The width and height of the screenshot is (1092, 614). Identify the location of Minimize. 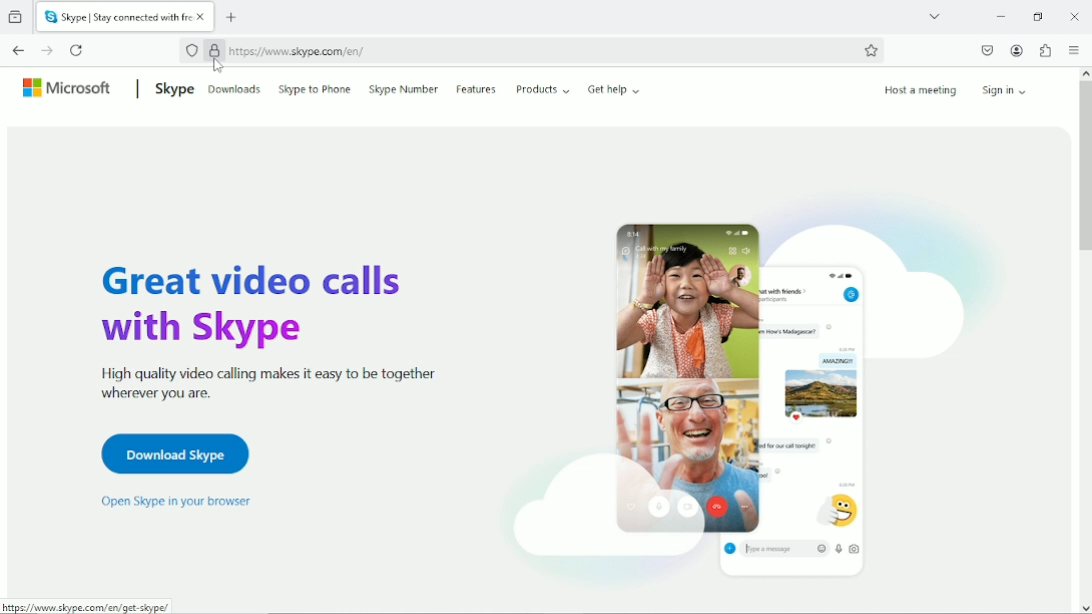
(1000, 16).